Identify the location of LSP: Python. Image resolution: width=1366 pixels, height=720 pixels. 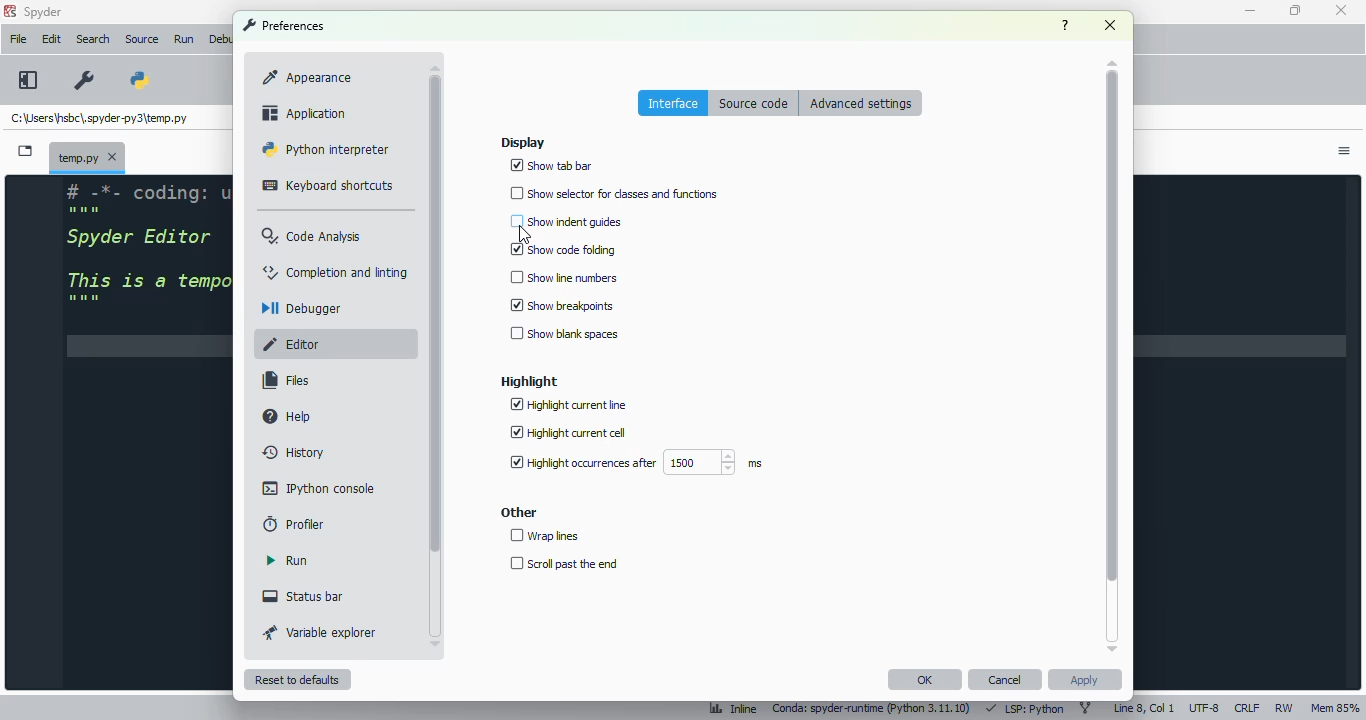
(1024, 709).